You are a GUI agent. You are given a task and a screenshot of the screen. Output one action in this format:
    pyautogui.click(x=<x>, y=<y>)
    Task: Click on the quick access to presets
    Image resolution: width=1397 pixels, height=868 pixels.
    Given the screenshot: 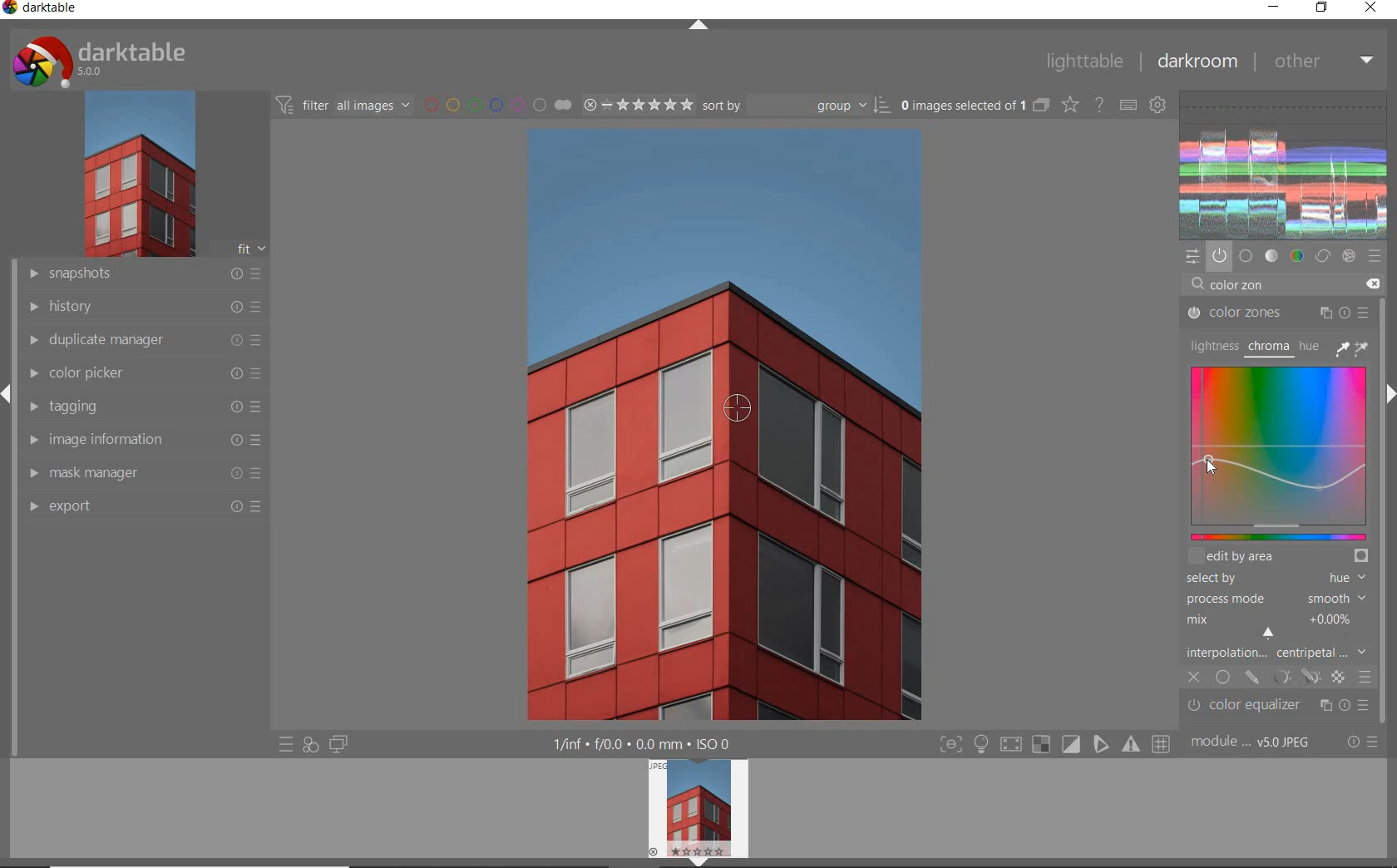 What is the action you would take?
    pyautogui.click(x=286, y=746)
    